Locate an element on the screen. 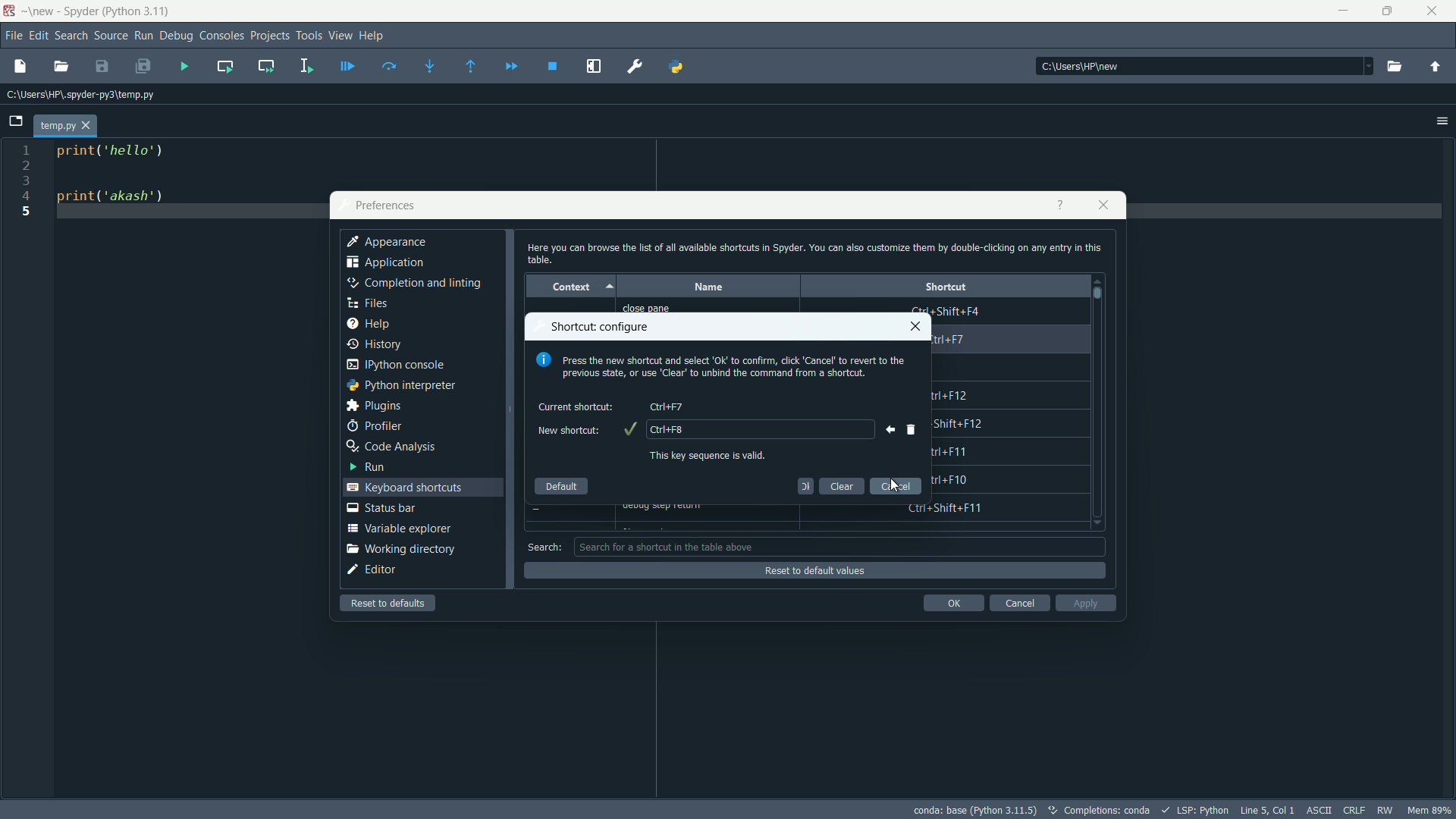 Image resolution: width=1456 pixels, height=819 pixels. profiler is located at coordinates (374, 426).